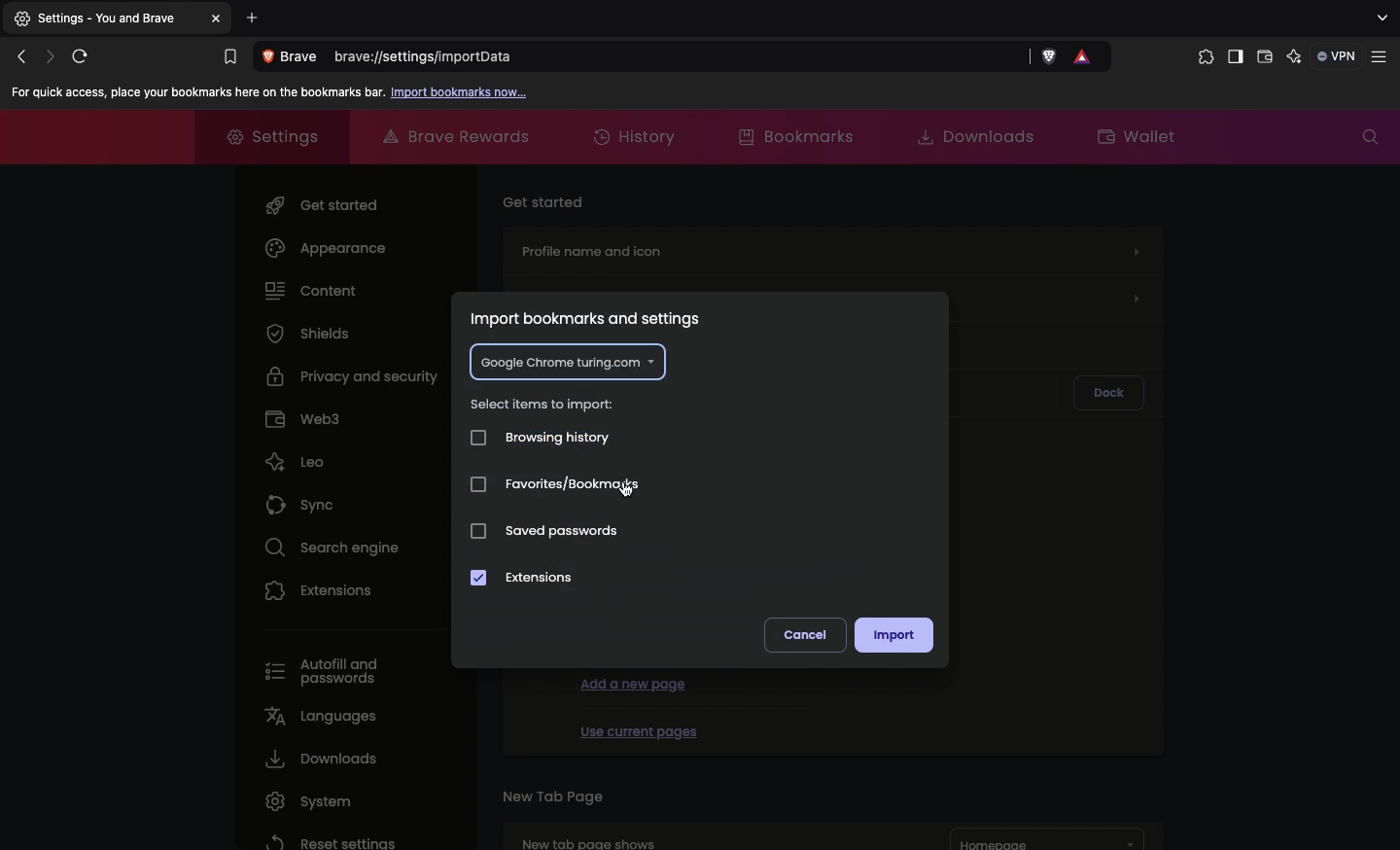  Describe the element at coordinates (294, 57) in the screenshot. I see `View site information` at that location.